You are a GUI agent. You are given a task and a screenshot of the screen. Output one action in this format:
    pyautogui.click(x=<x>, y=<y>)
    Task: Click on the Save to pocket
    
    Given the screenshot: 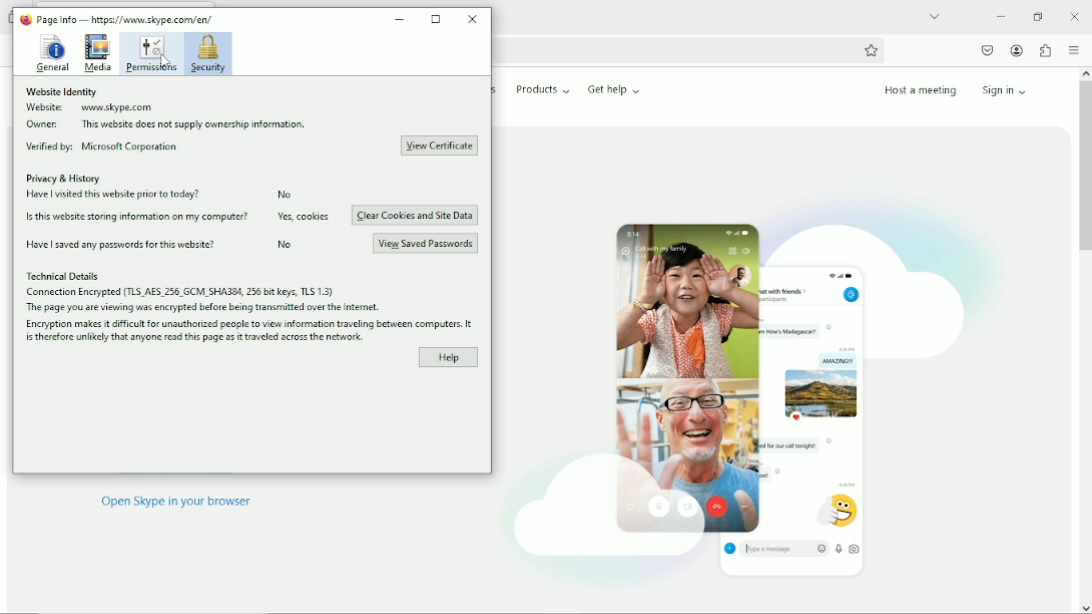 What is the action you would take?
    pyautogui.click(x=986, y=50)
    